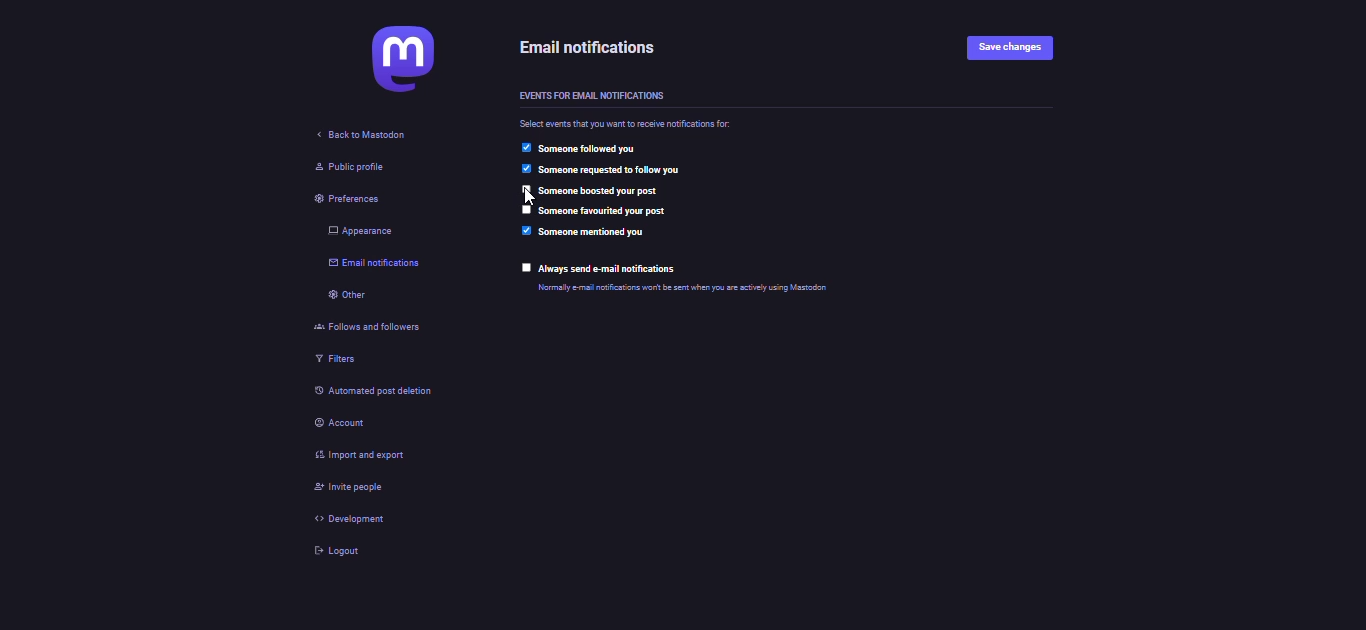 Image resolution: width=1366 pixels, height=630 pixels. I want to click on click to enable, so click(526, 190).